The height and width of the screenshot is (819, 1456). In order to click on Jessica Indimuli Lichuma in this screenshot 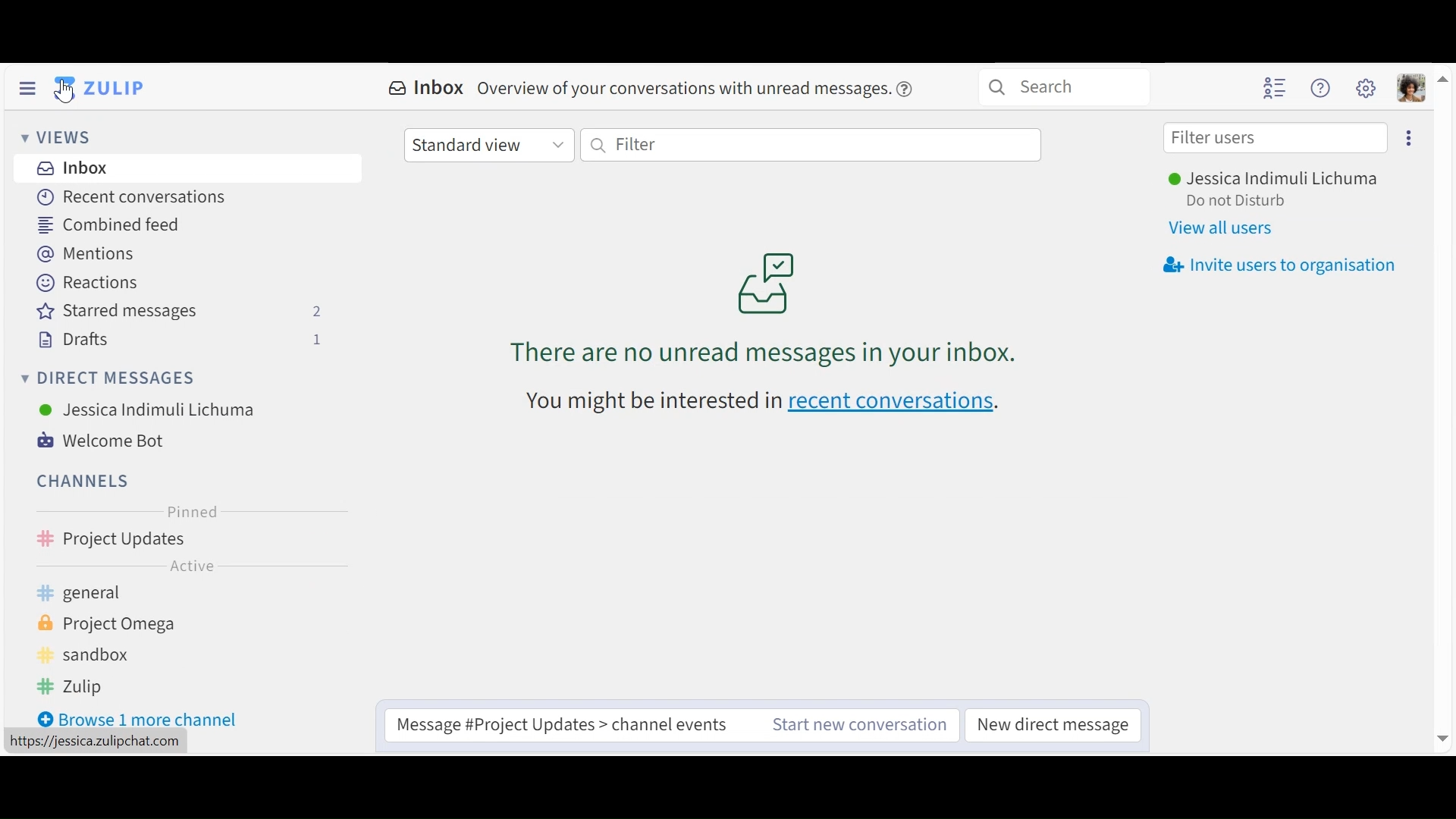, I will do `click(1273, 177)`.